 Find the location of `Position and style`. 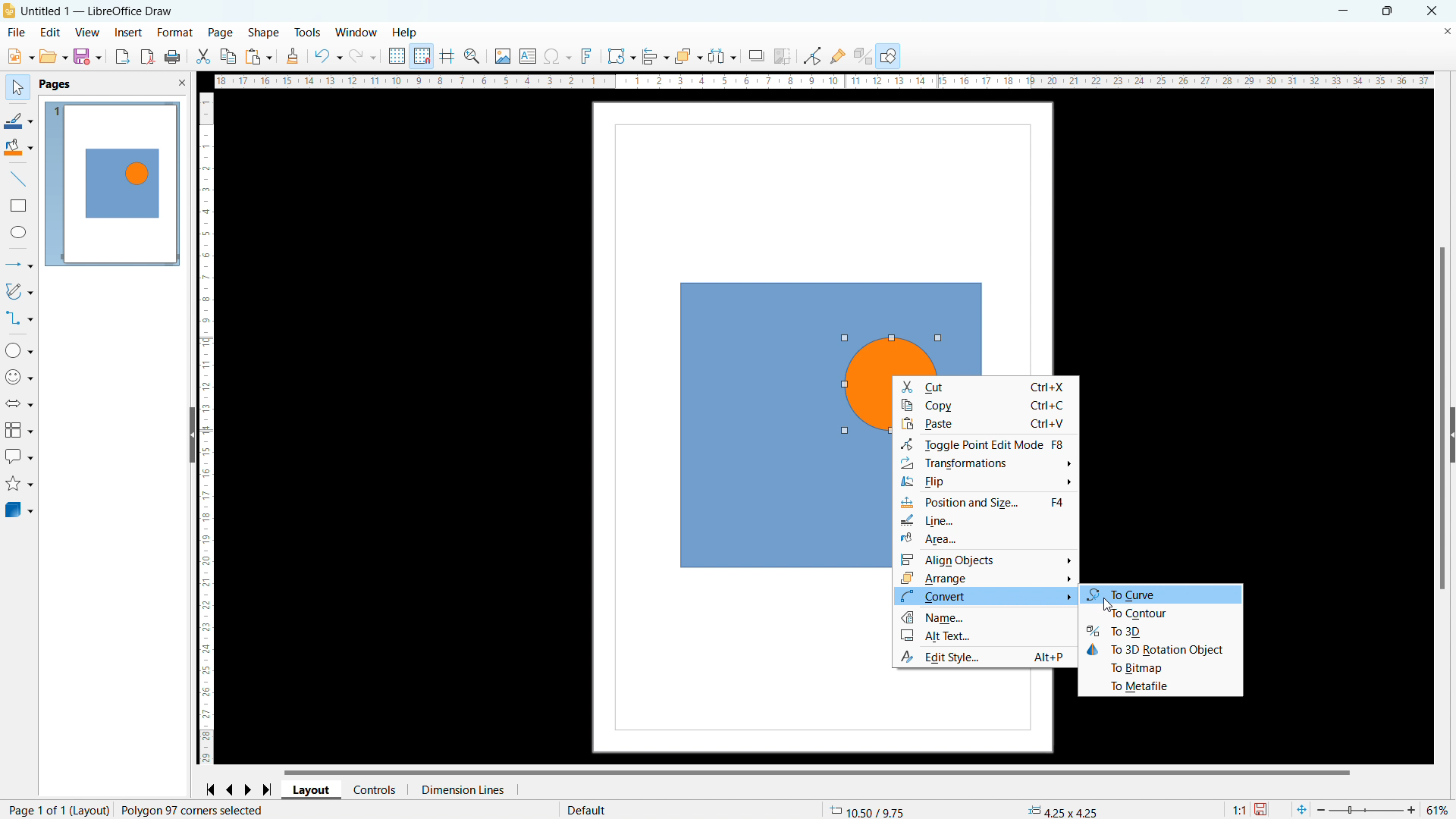

Position and style is located at coordinates (986, 501).